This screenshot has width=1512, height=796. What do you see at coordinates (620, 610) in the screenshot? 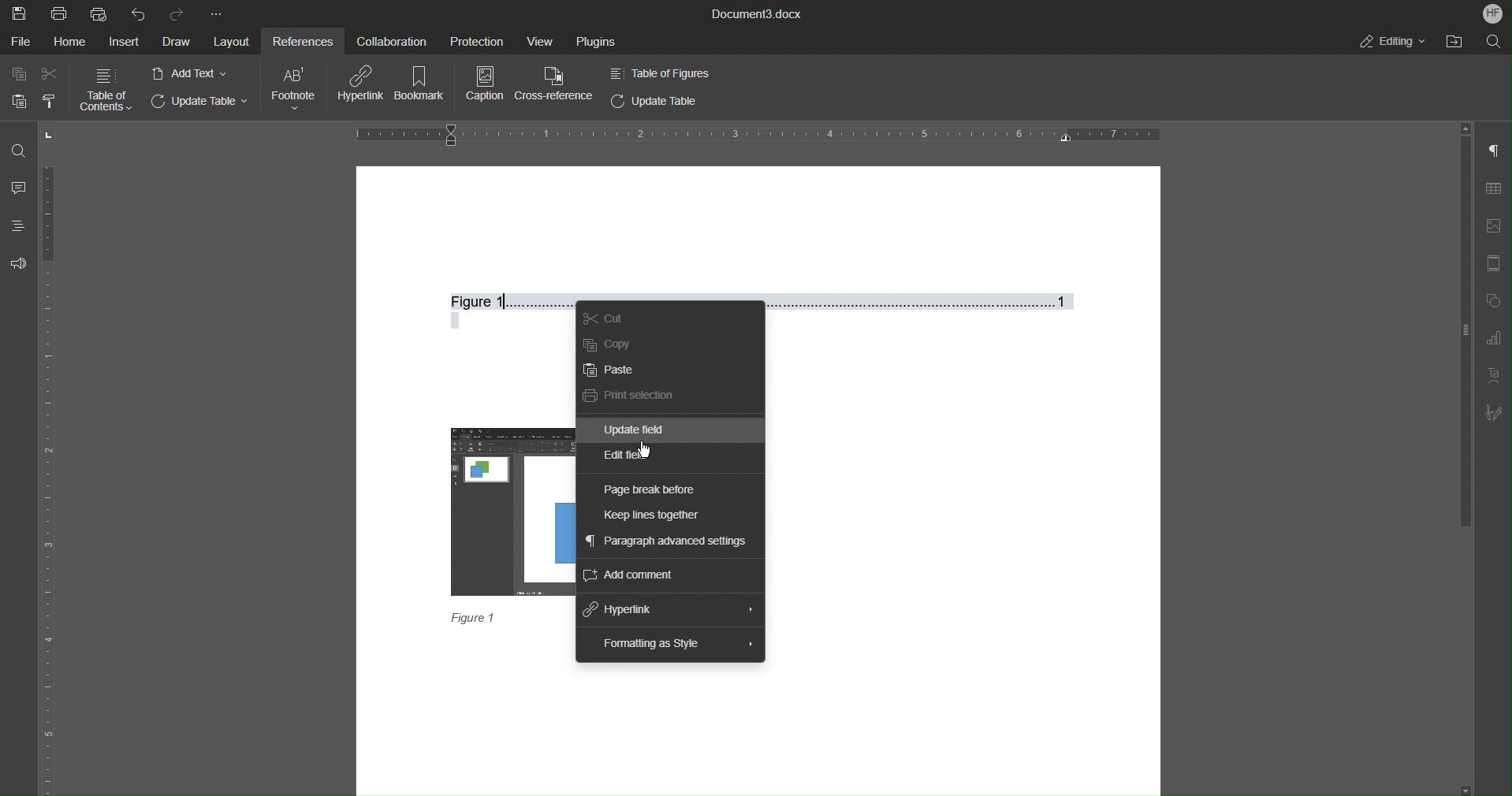
I see `Hyperlink` at bounding box center [620, 610].